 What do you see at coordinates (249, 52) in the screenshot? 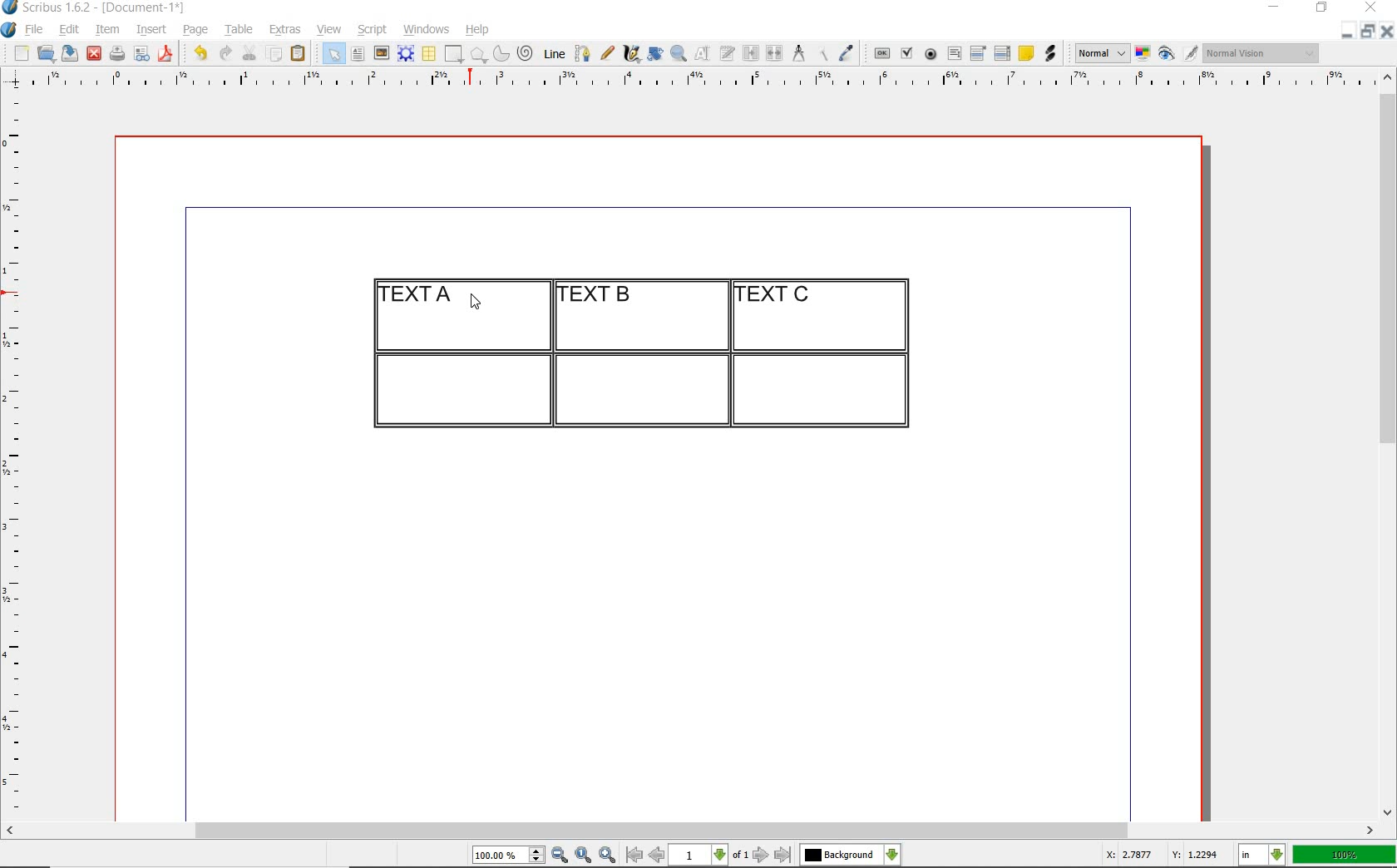
I see `cut` at bounding box center [249, 52].